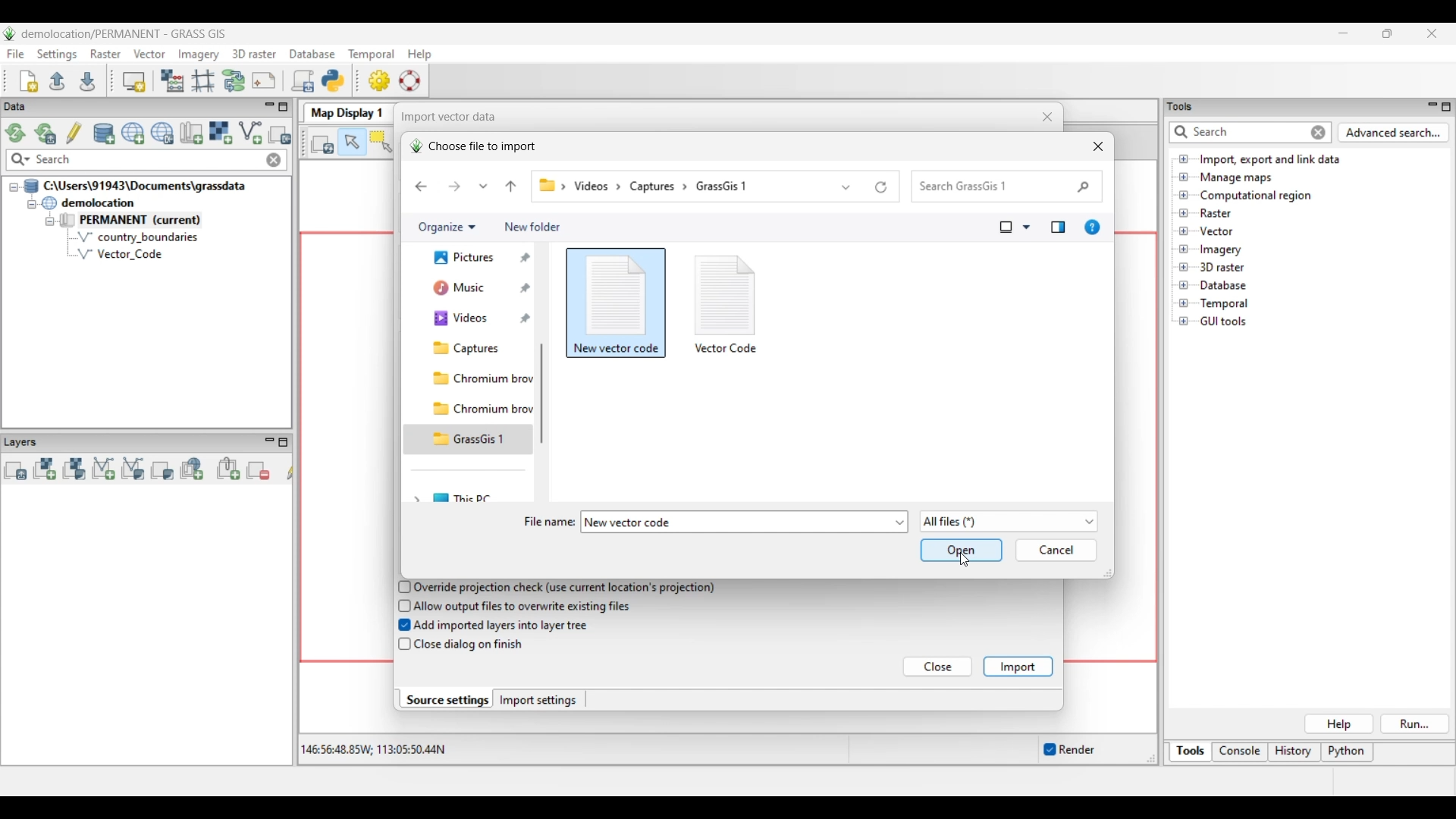 The height and width of the screenshot is (819, 1456). Describe the element at coordinates (151, 221) in the screenshot. I see `Double click to collapse Permanent` at that location.